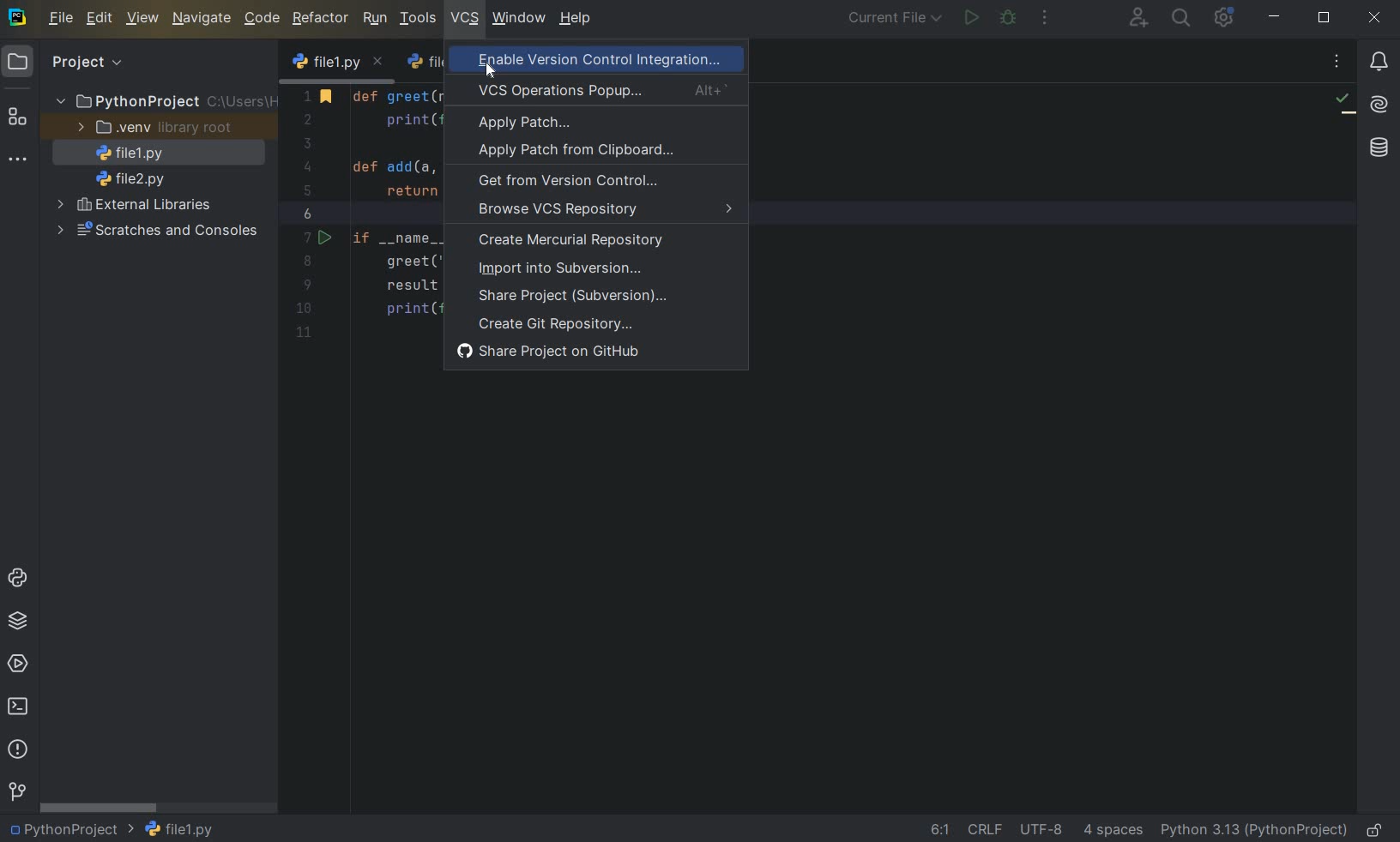 The image size is (1400, 842). What do you see at coordinates (588, 153) in the screenshot?
I see `apply patch from clipboard` at bounding box center [588, 153].